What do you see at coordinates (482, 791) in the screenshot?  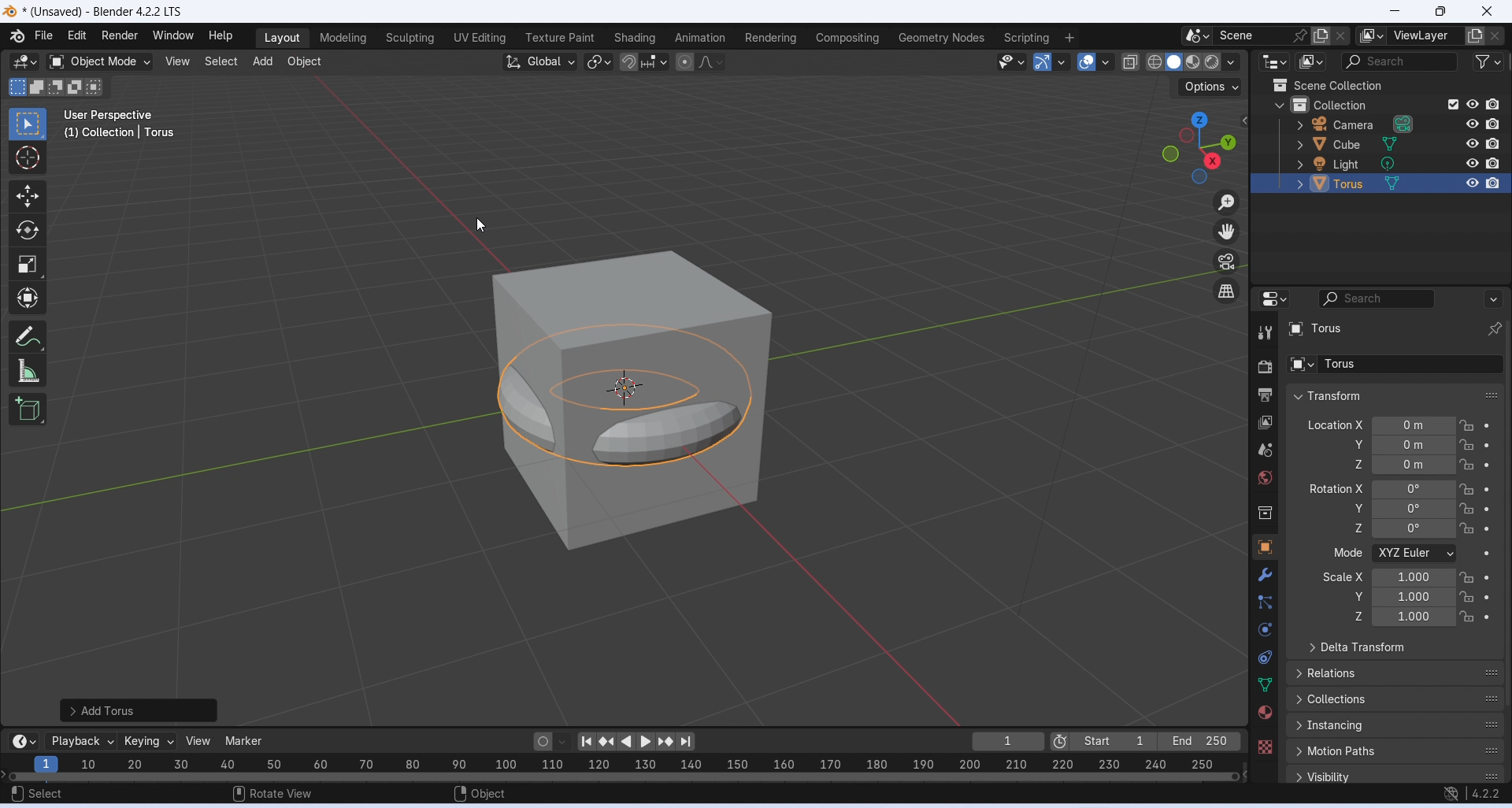 I see `object` at bounding box center [482, 791].